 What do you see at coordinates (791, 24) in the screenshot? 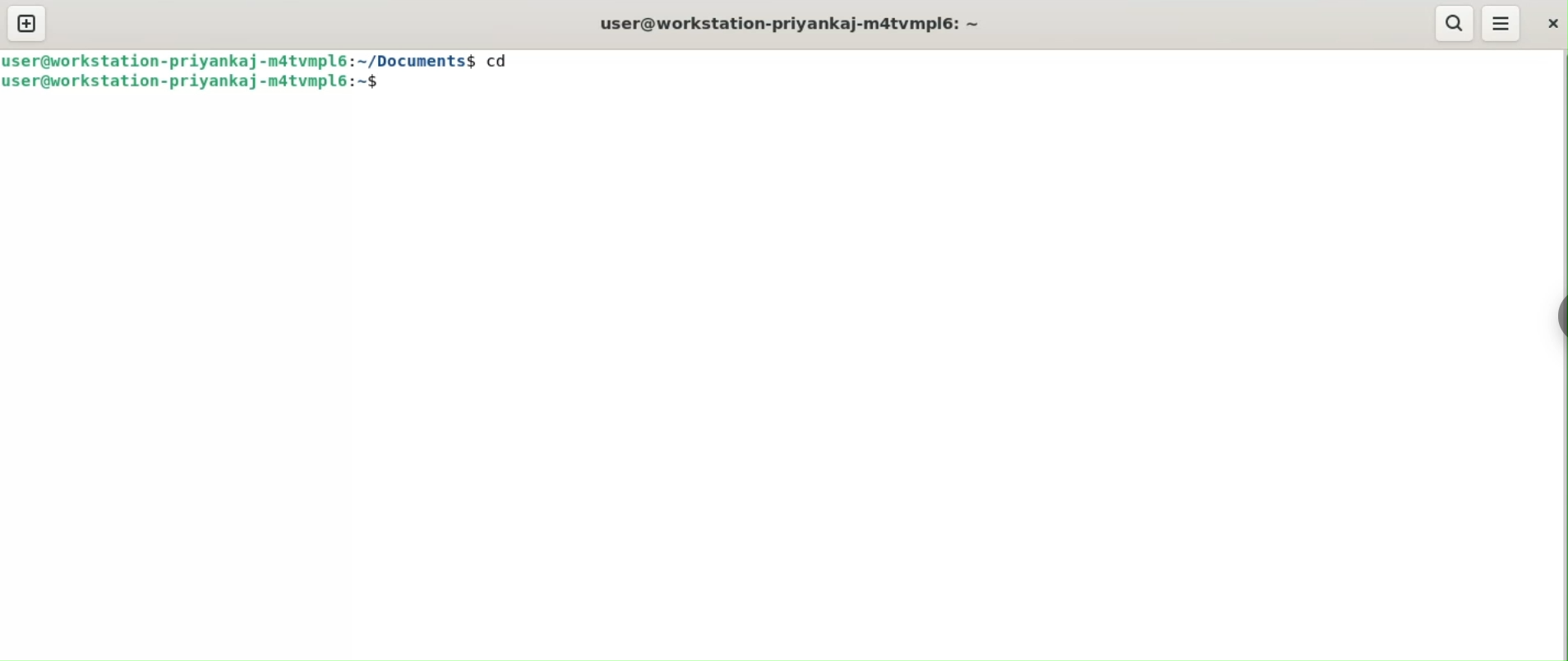
I see `user@workstation-priyankaj-m4tvmpl6: ~` at bounding box center [791, 24].